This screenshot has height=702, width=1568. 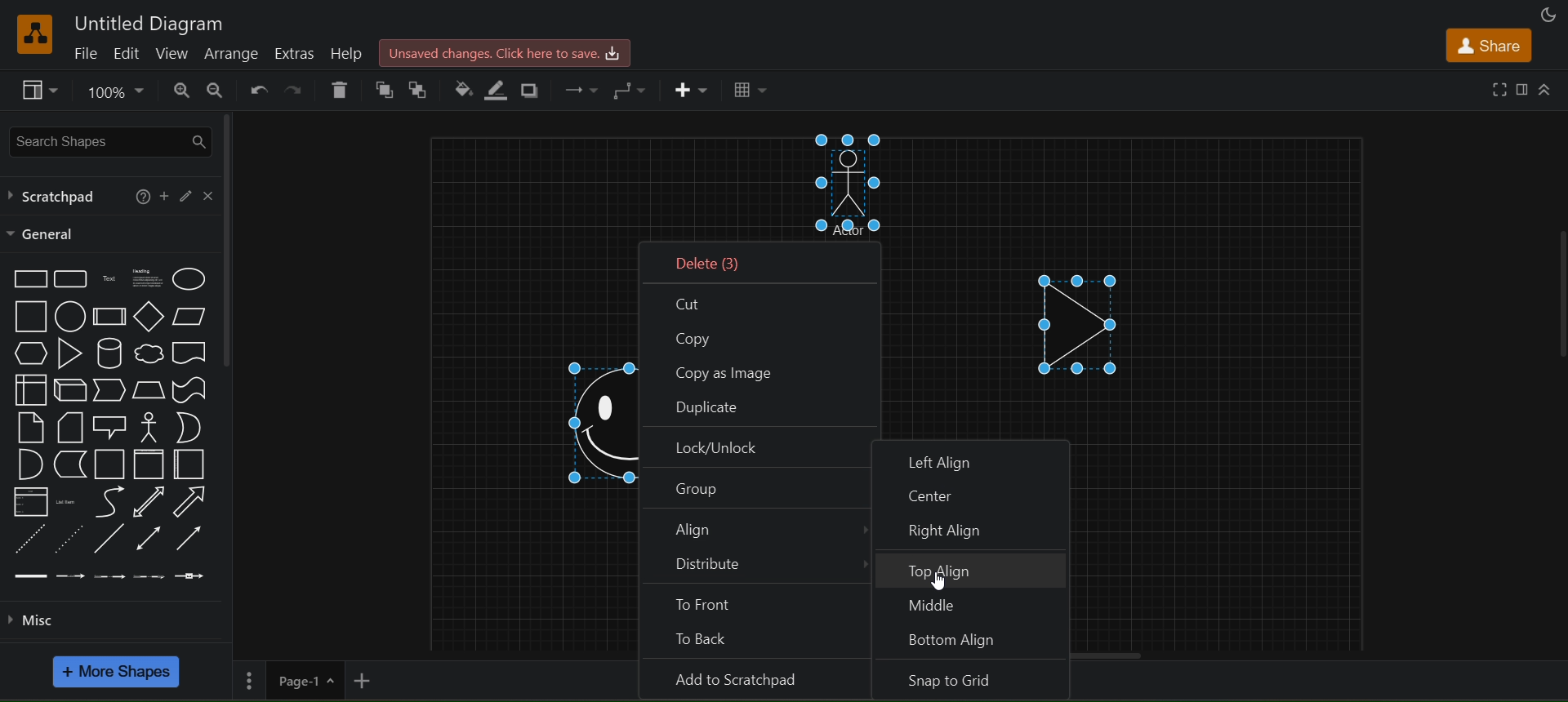 What do you see at coordinates (977, 604) in the screenshot?
I see `middle` at bounding box center [977, 604].